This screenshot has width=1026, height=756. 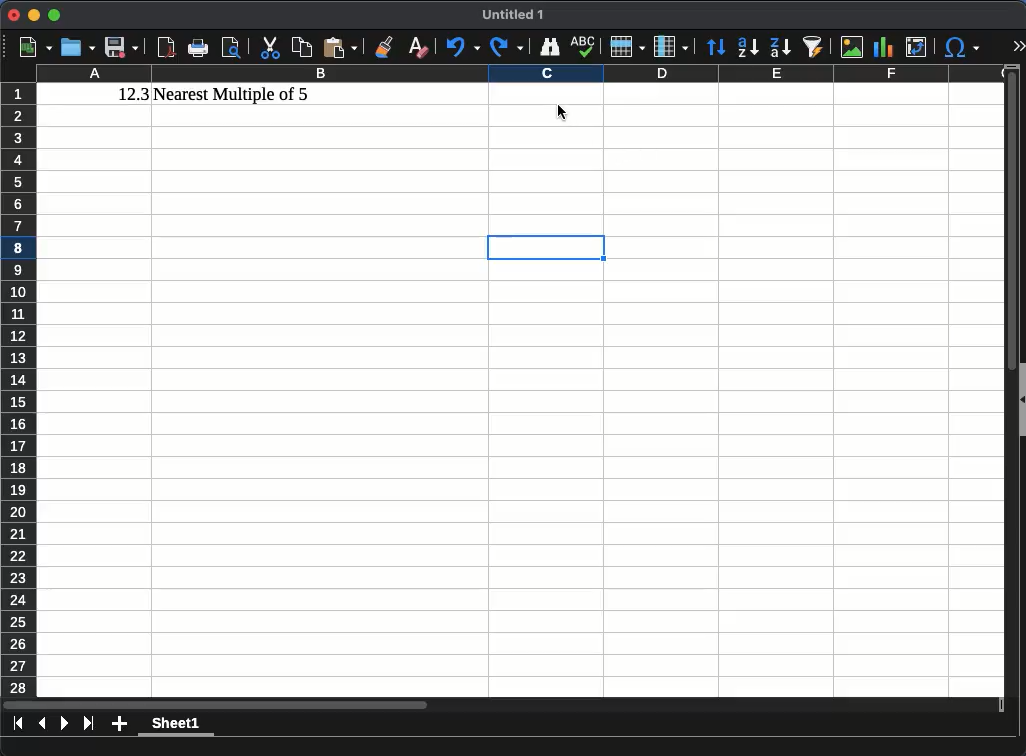 What do you see at coordinates (564, 114) in the screenshot?
I see `cursor` at bounding box center [564, 114].